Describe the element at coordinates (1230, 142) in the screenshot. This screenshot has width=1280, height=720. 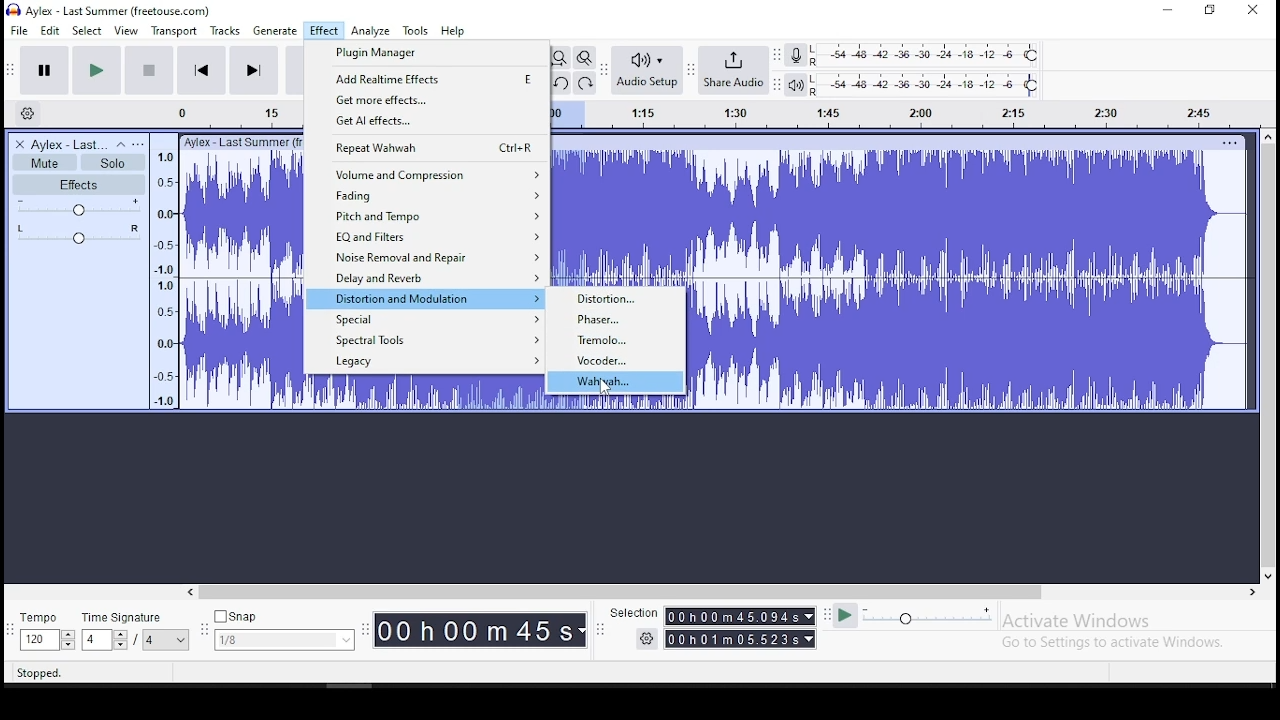
I see `track options` at that location.